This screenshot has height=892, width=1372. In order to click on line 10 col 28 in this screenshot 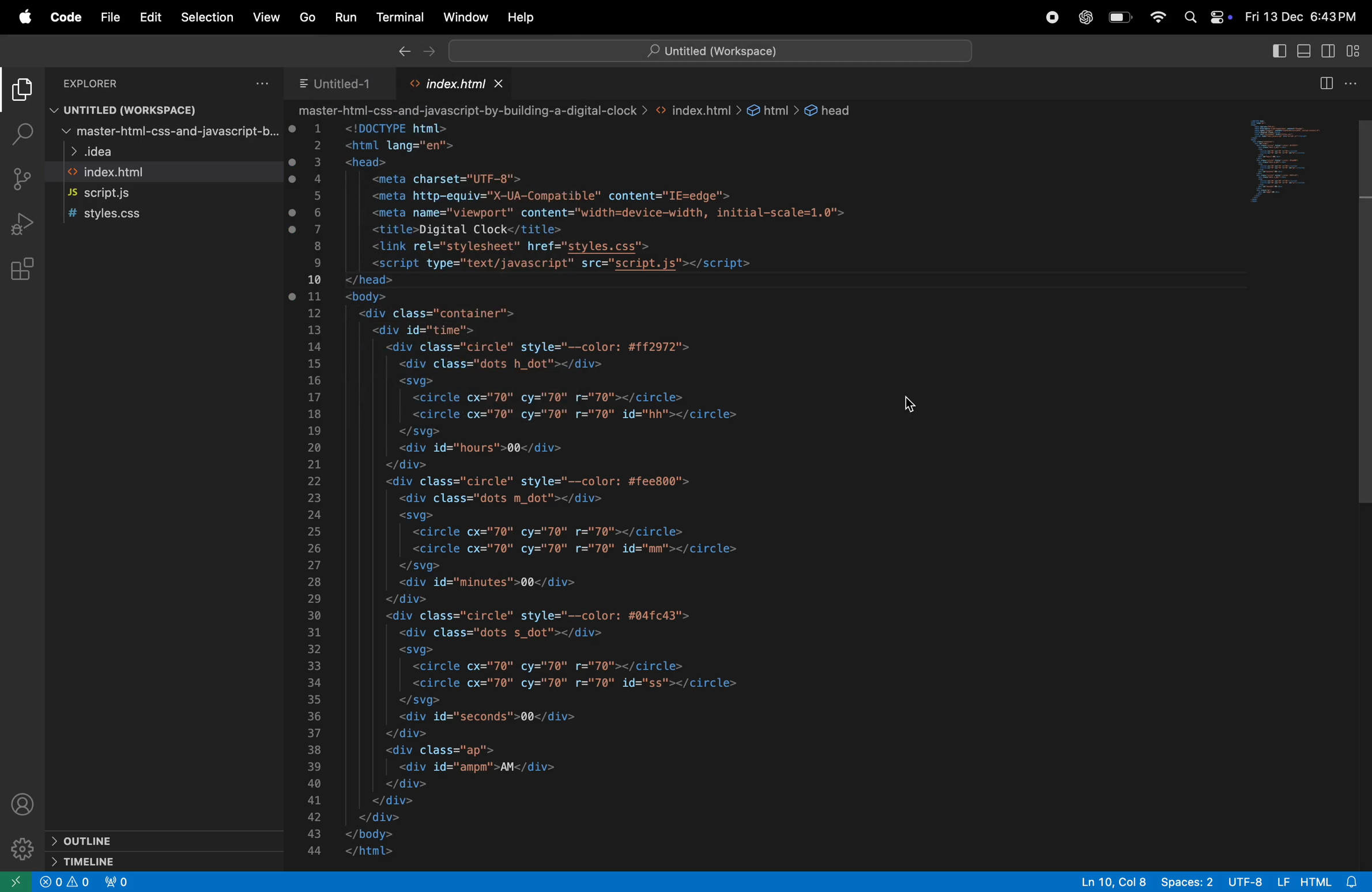, I will do `click(1114, 882)`.